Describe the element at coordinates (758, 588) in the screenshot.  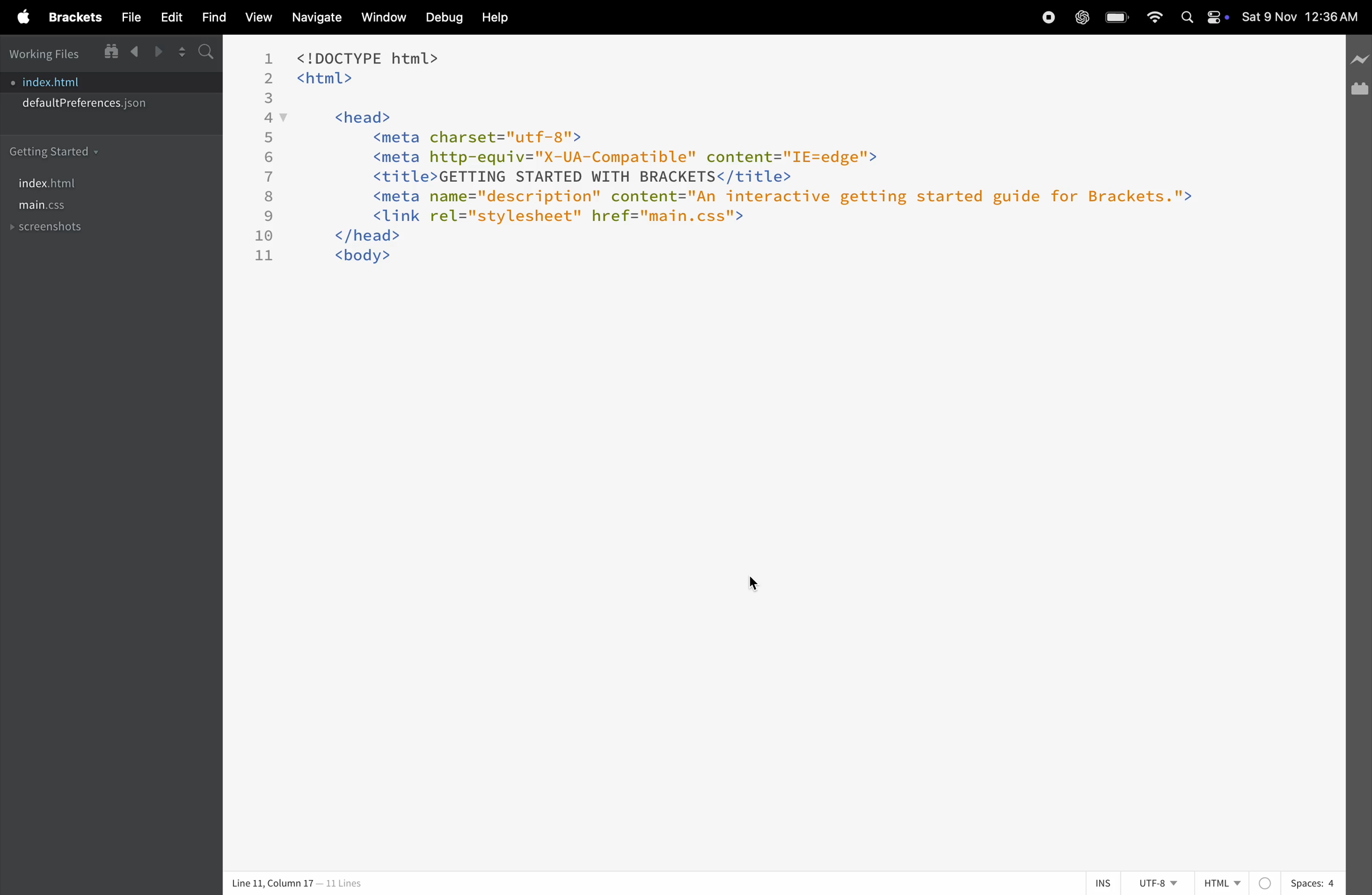
I see `cursor` at that location.